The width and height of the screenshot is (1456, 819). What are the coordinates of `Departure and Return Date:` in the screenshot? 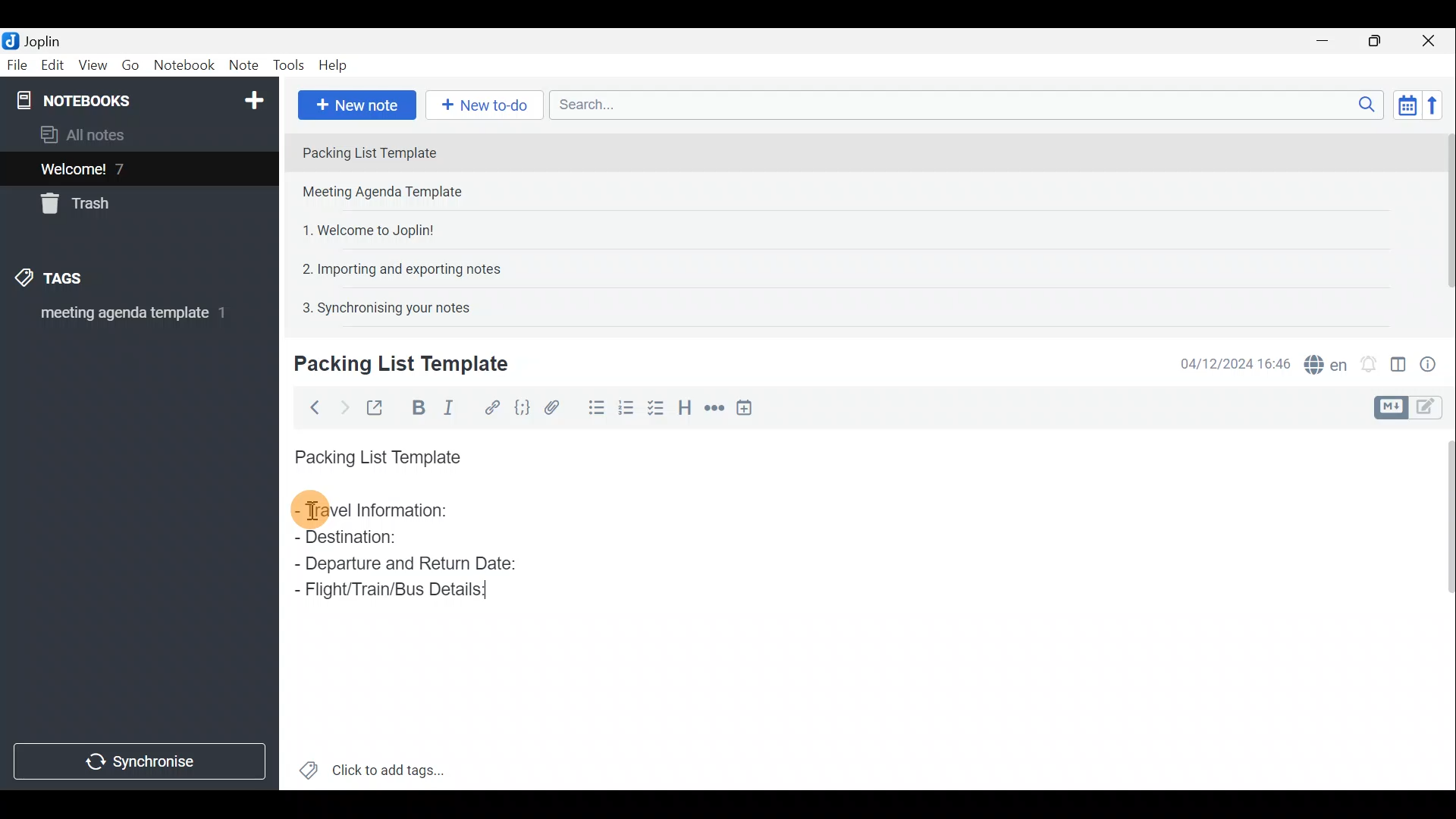 It's located at (406, 563).